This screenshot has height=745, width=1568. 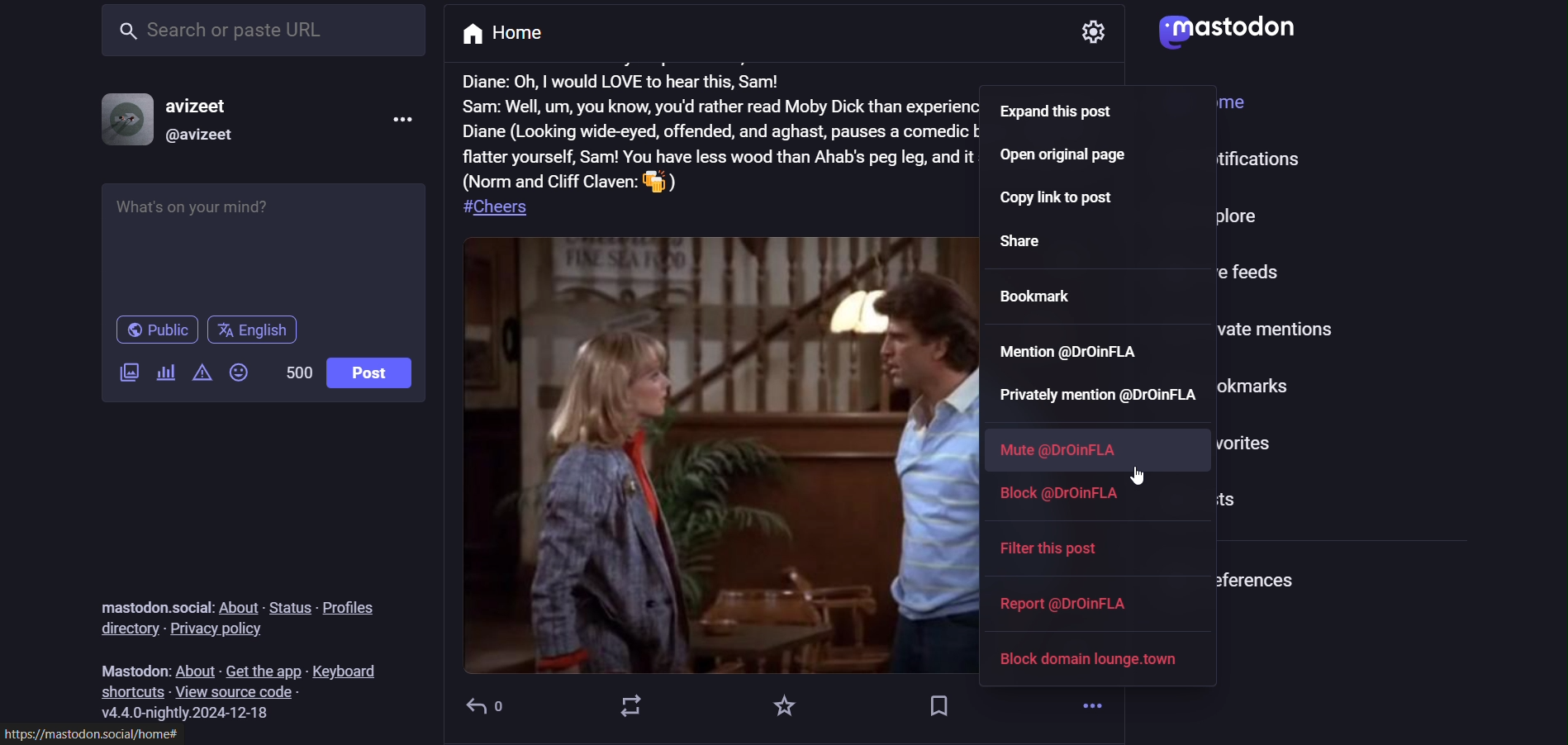 I want to click on expand the post, so click(x=1069, y=114).